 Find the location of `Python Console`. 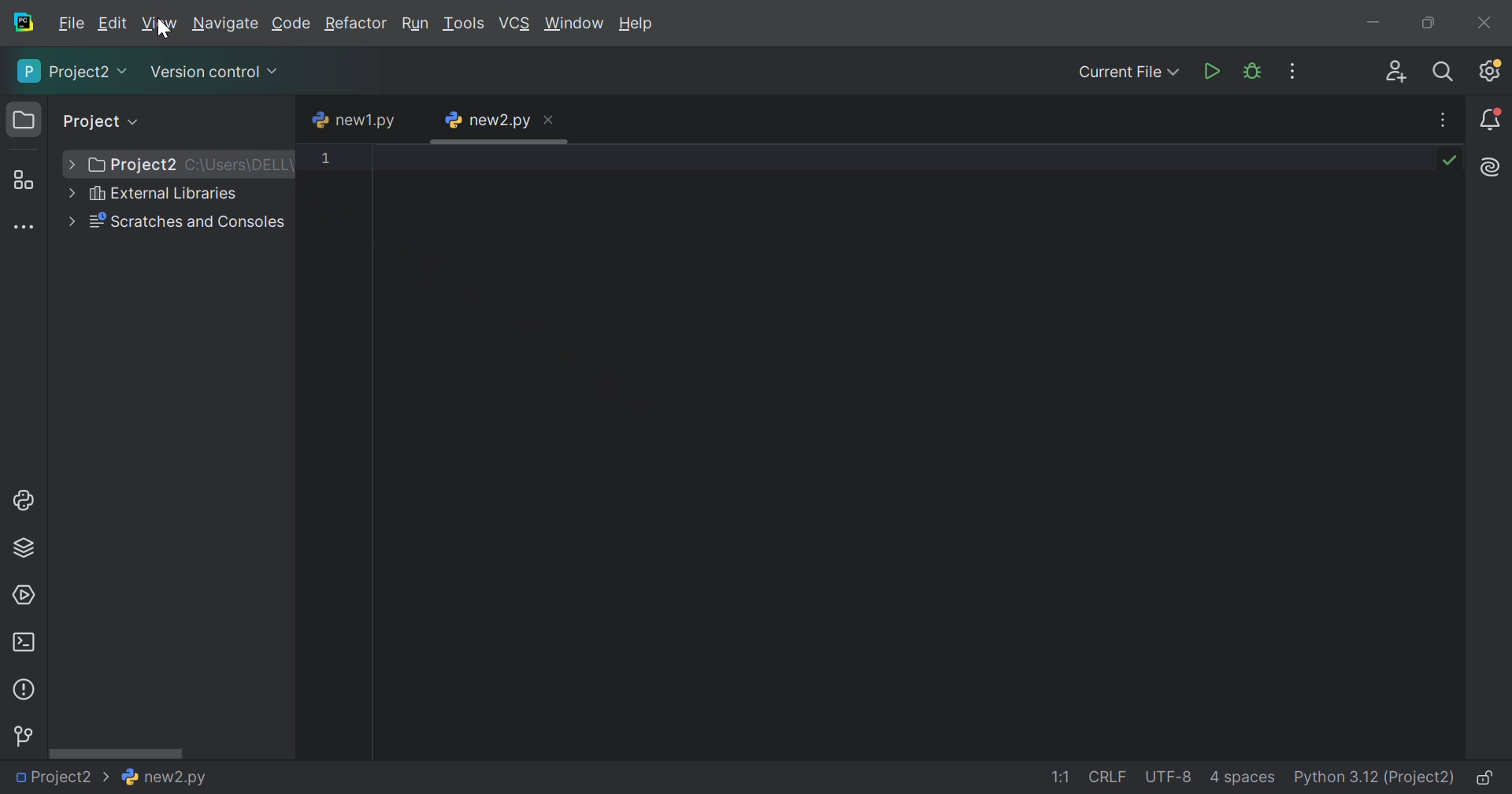

Python Console is located at coordinates (28, 501).